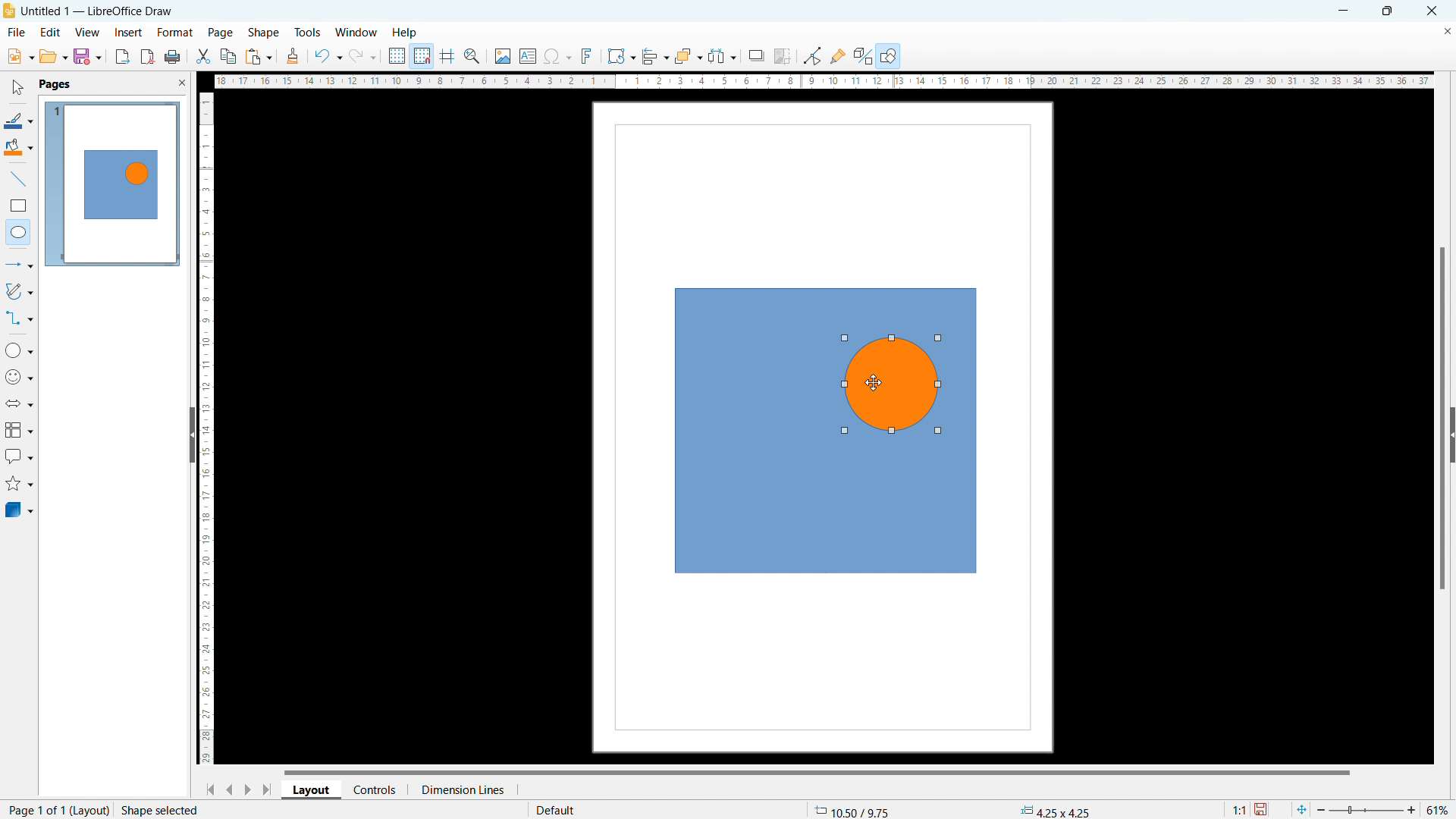  What do you see at coordinates (19, 180) in the screenshot?
I see `line` at bounding box center [19, 180].